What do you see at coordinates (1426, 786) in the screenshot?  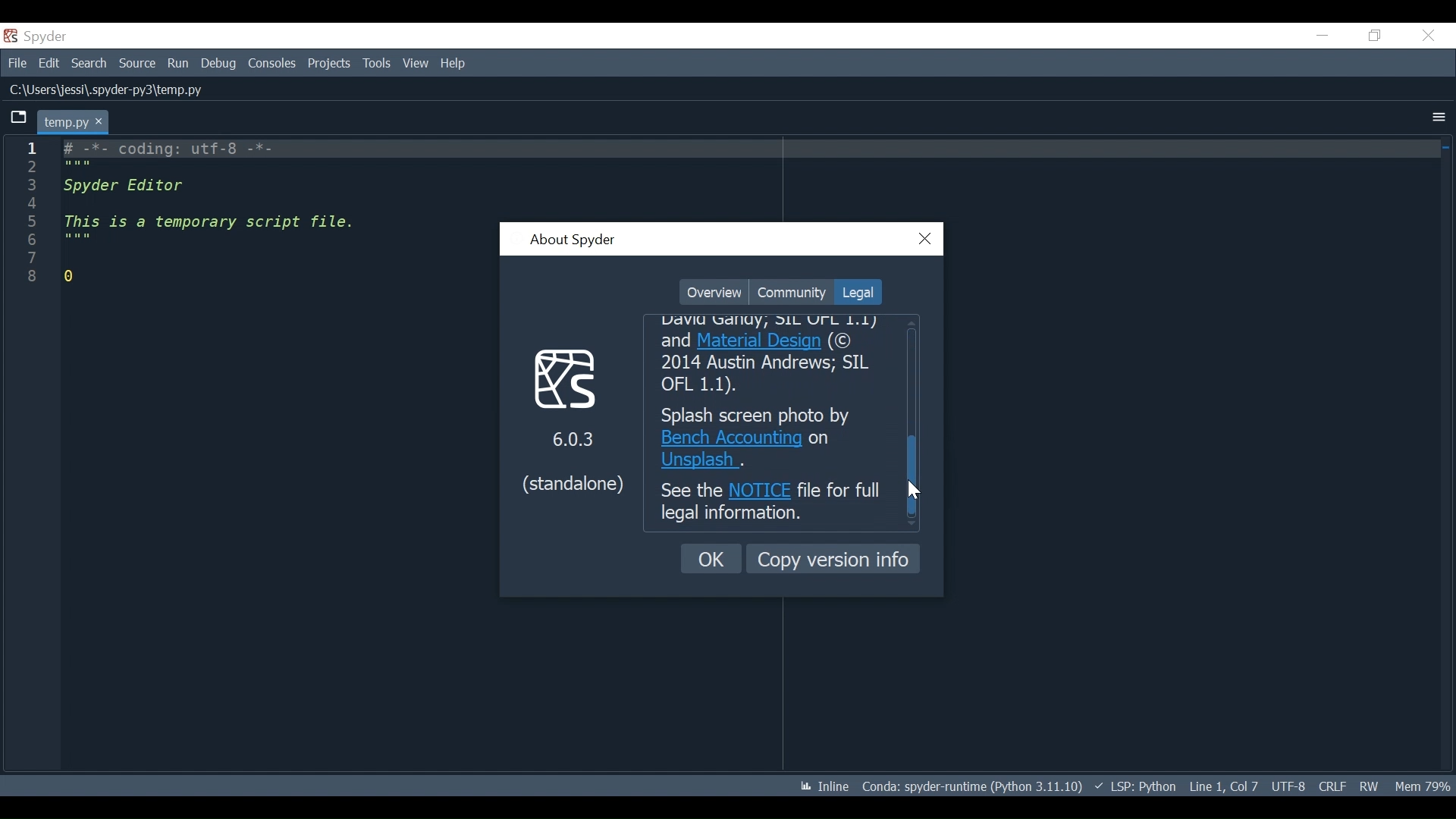 I see `‘Mem 80%` at bounding box center [1426, 786].